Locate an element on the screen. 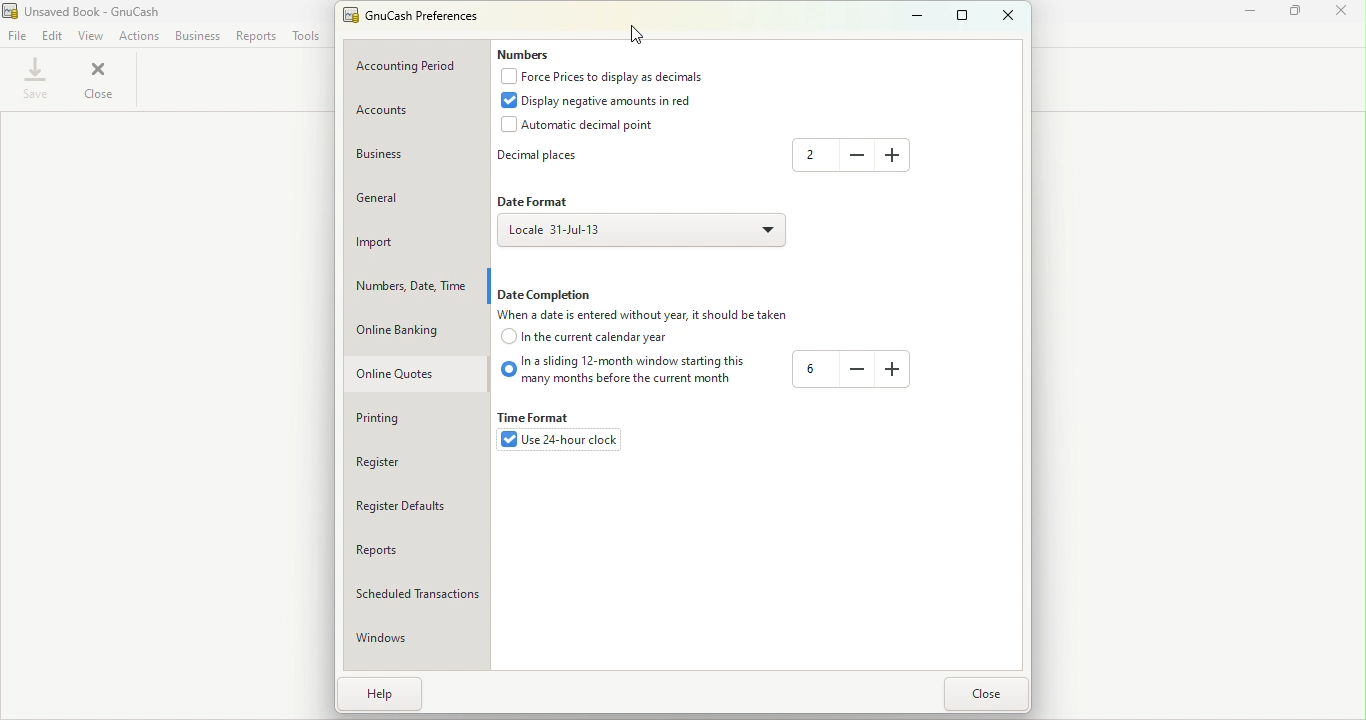 The image size is (1366, 720). Edit is located at coordinates (53, 34).